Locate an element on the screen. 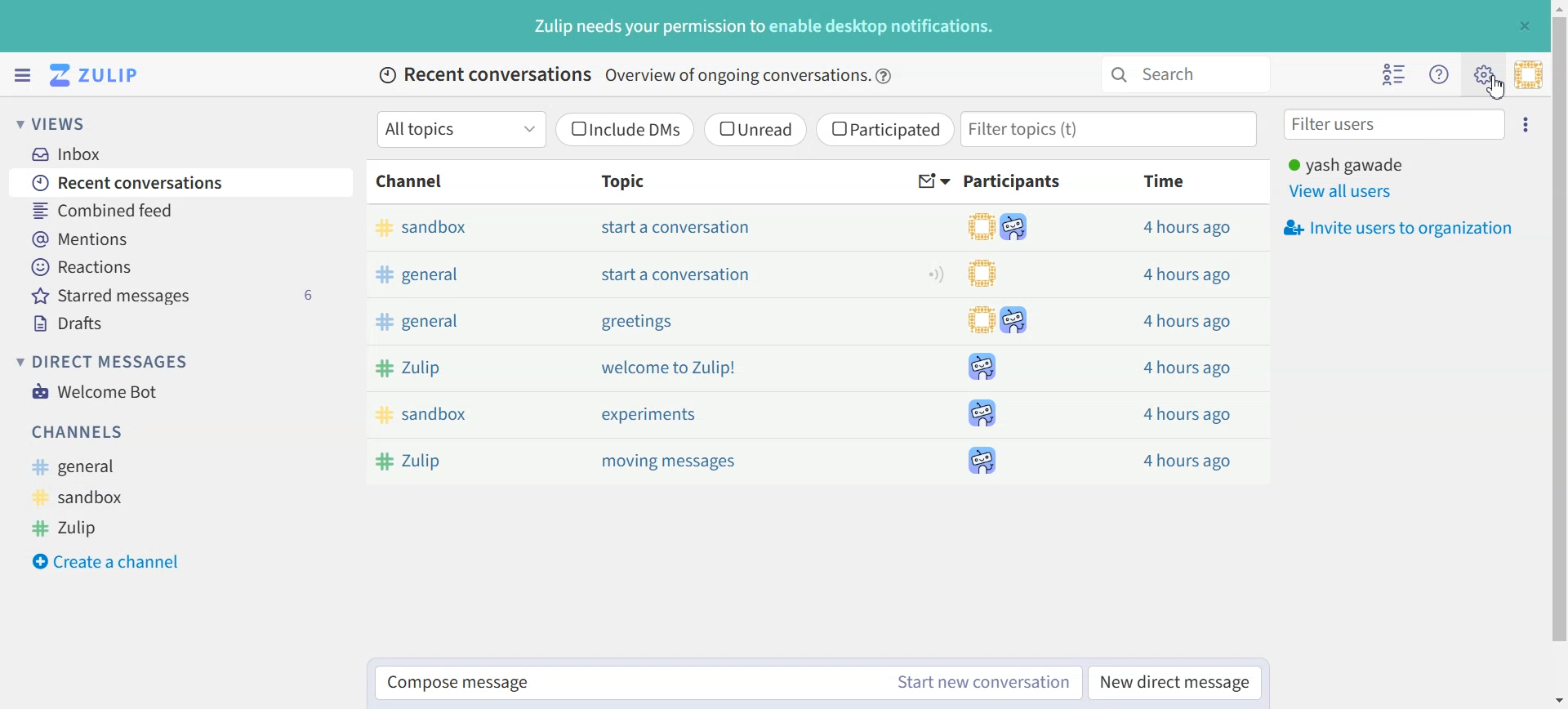 This screenshot has height=709, width=1568. #general is located at coordinates (457, 324).